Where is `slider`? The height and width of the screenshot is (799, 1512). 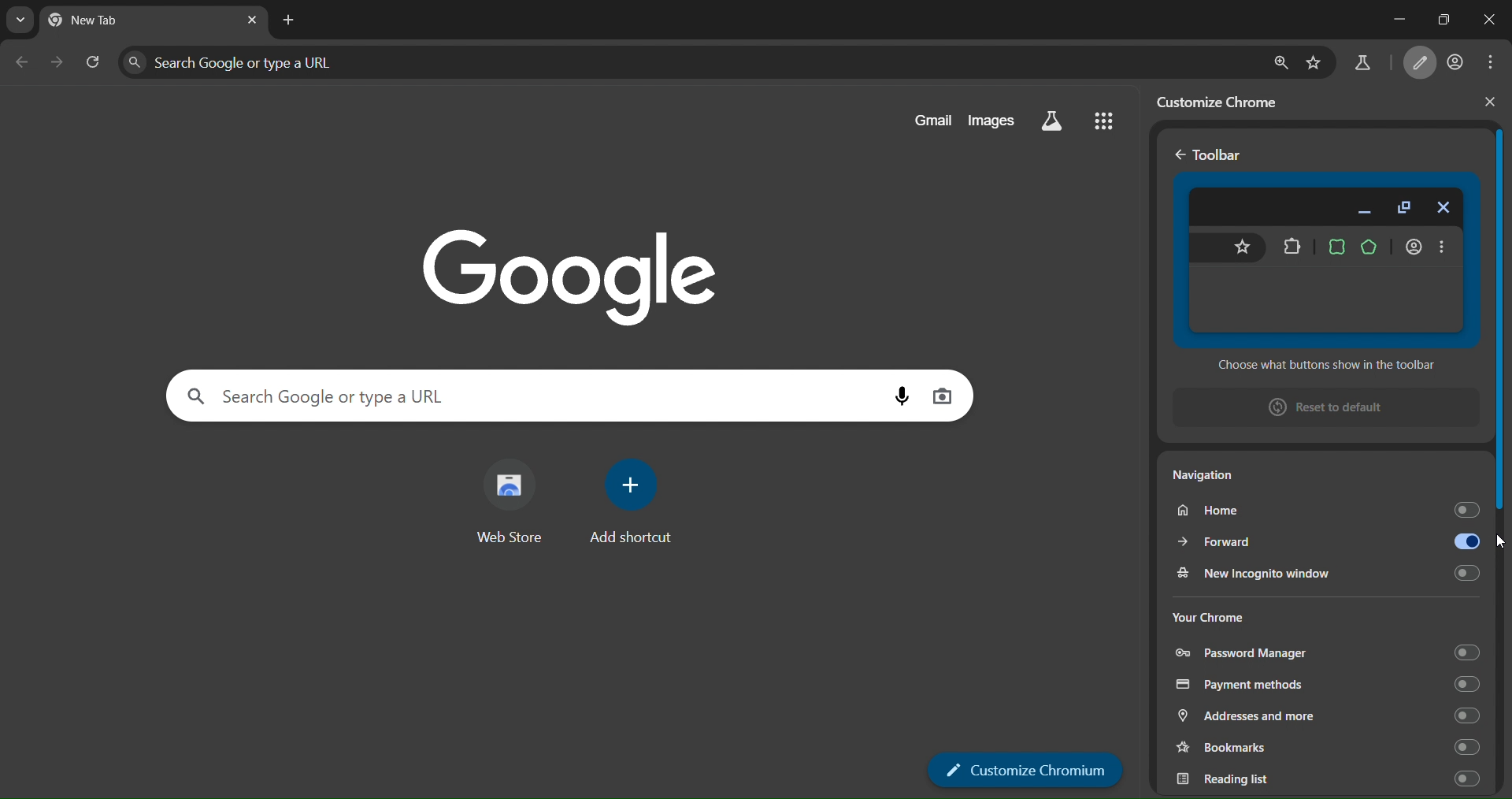
slider is located at coordinates (1503, 325).